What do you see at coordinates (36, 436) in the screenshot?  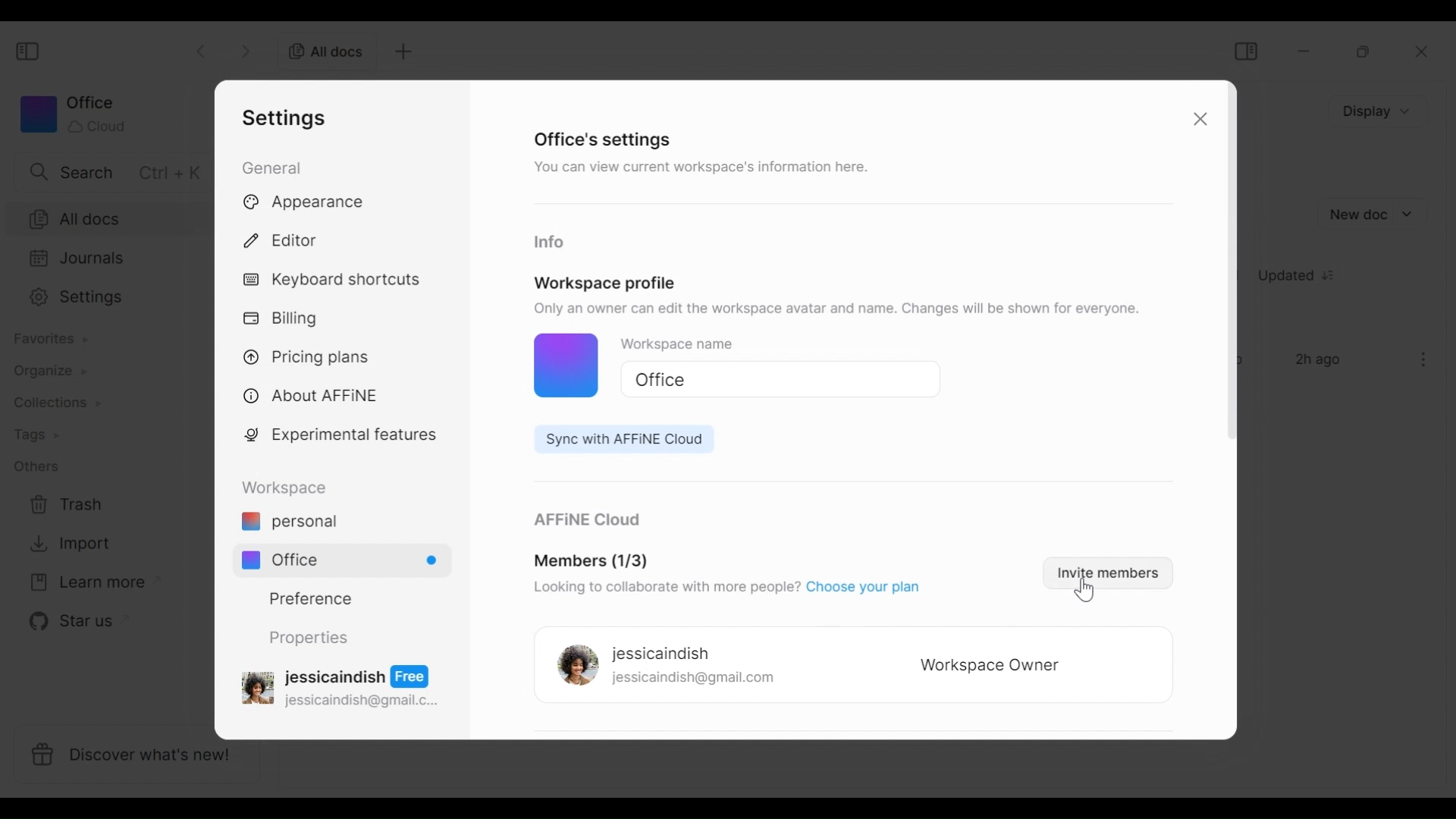 I see `Tags` at bounding box center [36, 436].